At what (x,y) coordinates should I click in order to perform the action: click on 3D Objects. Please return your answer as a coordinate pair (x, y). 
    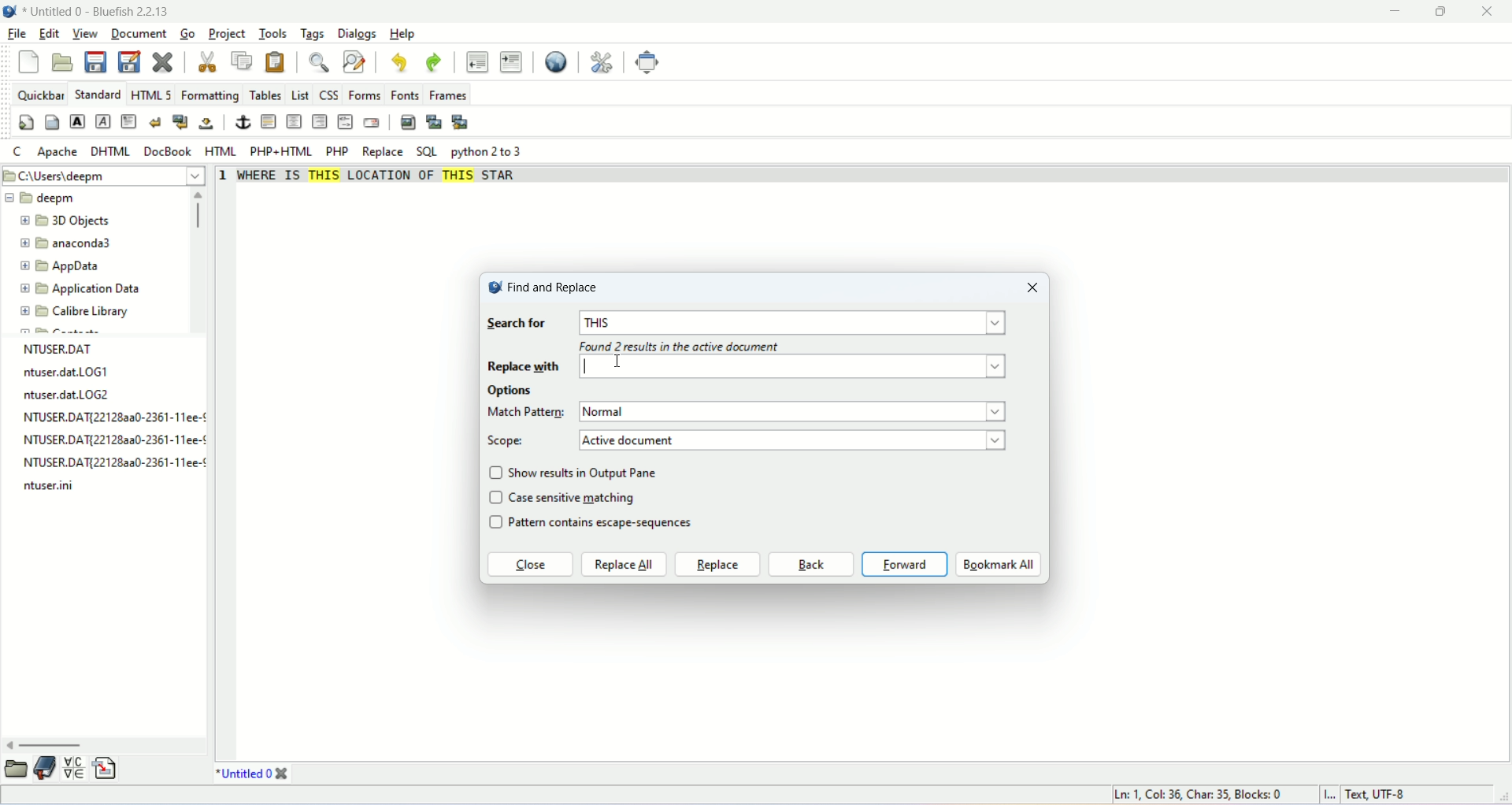
    Looking at the image, I should click on (67, 222).